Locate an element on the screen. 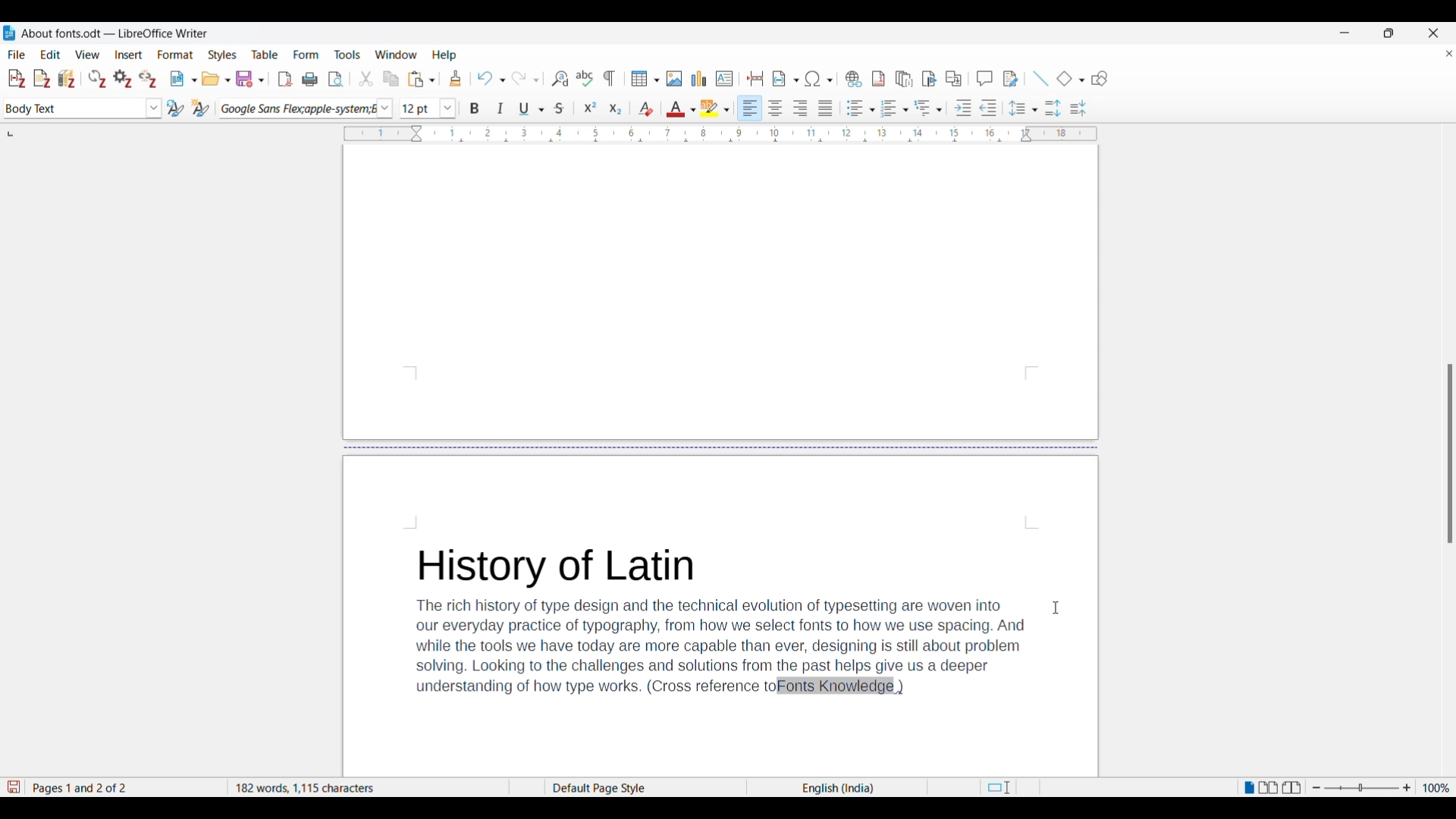  Superscript is located at coordinates (591, 108).